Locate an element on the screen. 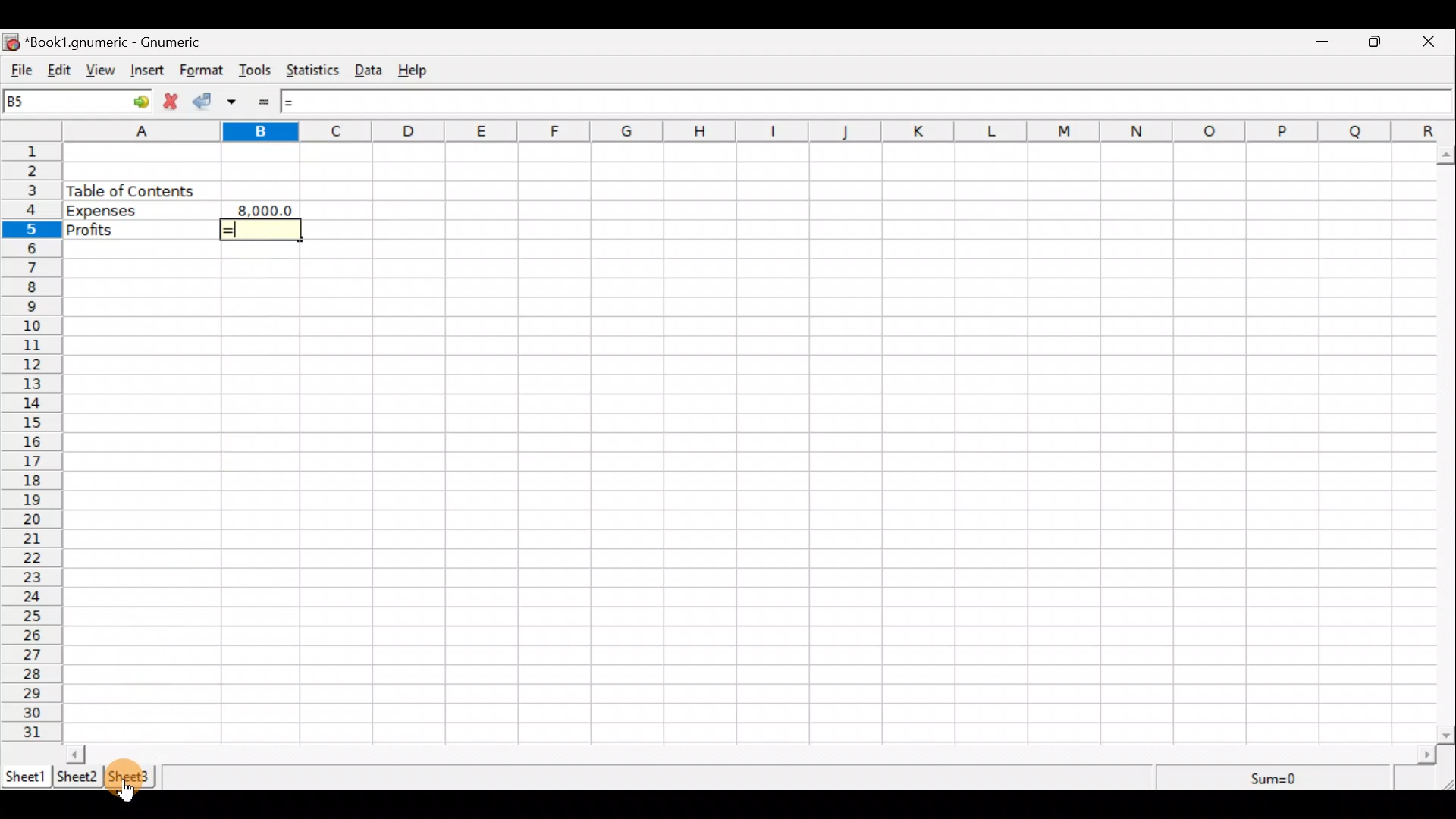 This screenshot has width=1456, height=819. Minimize is located at coordinates (1323, 43).